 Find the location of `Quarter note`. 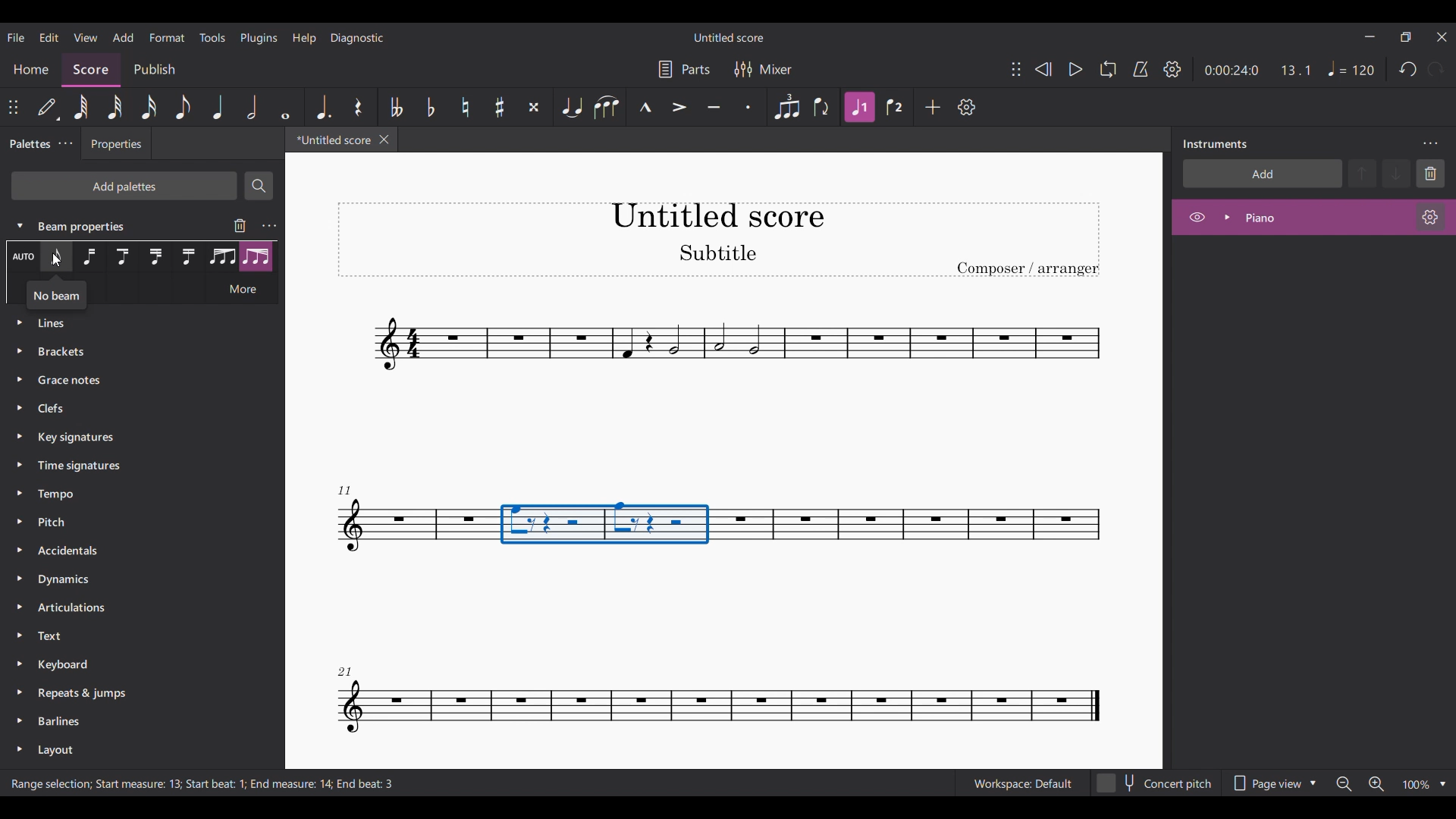

Quarter note is located at coordinates (218, 107).